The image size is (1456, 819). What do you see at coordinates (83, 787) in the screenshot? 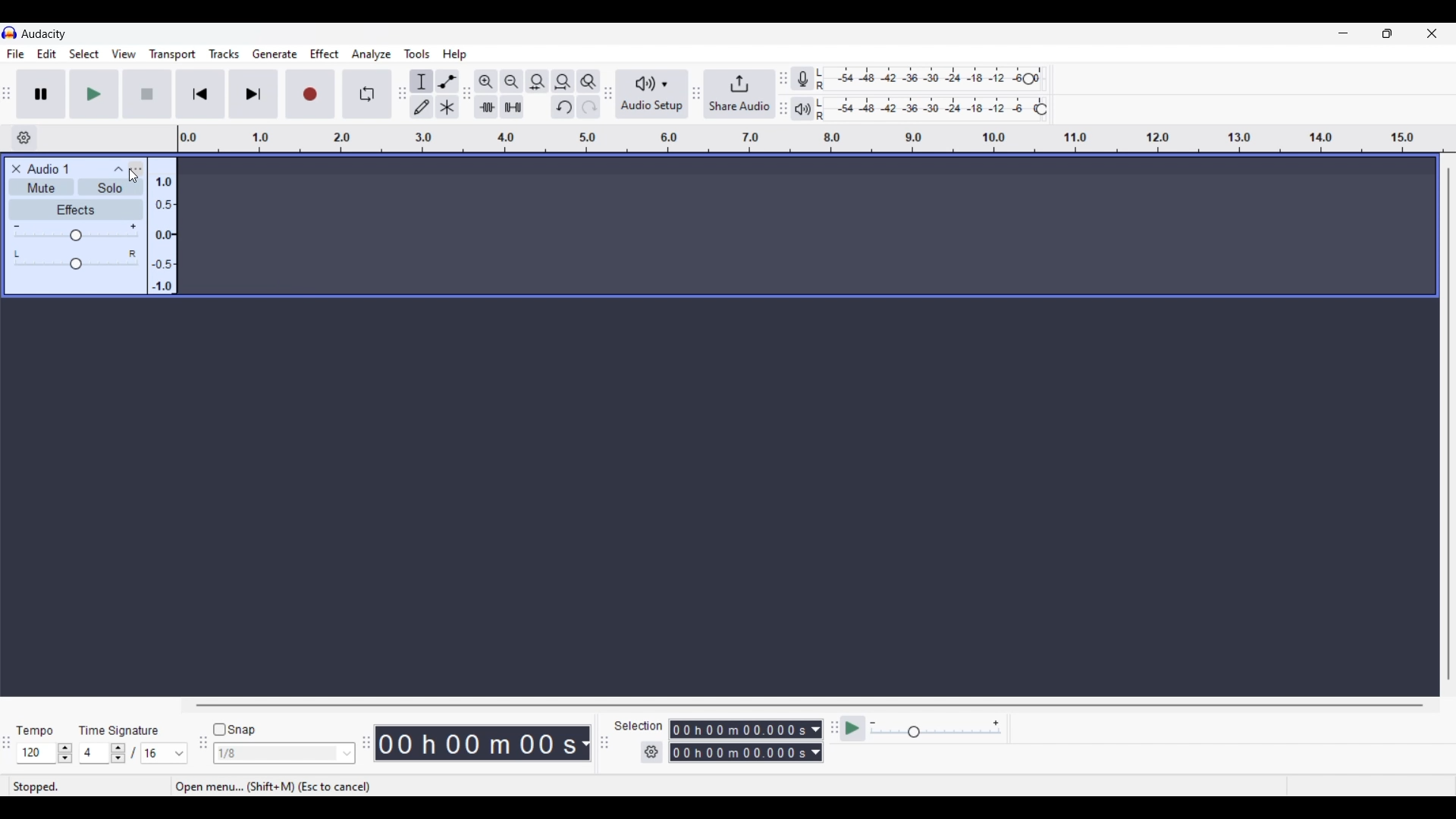
I see `Status of recording` at bounding box center [83, 787].